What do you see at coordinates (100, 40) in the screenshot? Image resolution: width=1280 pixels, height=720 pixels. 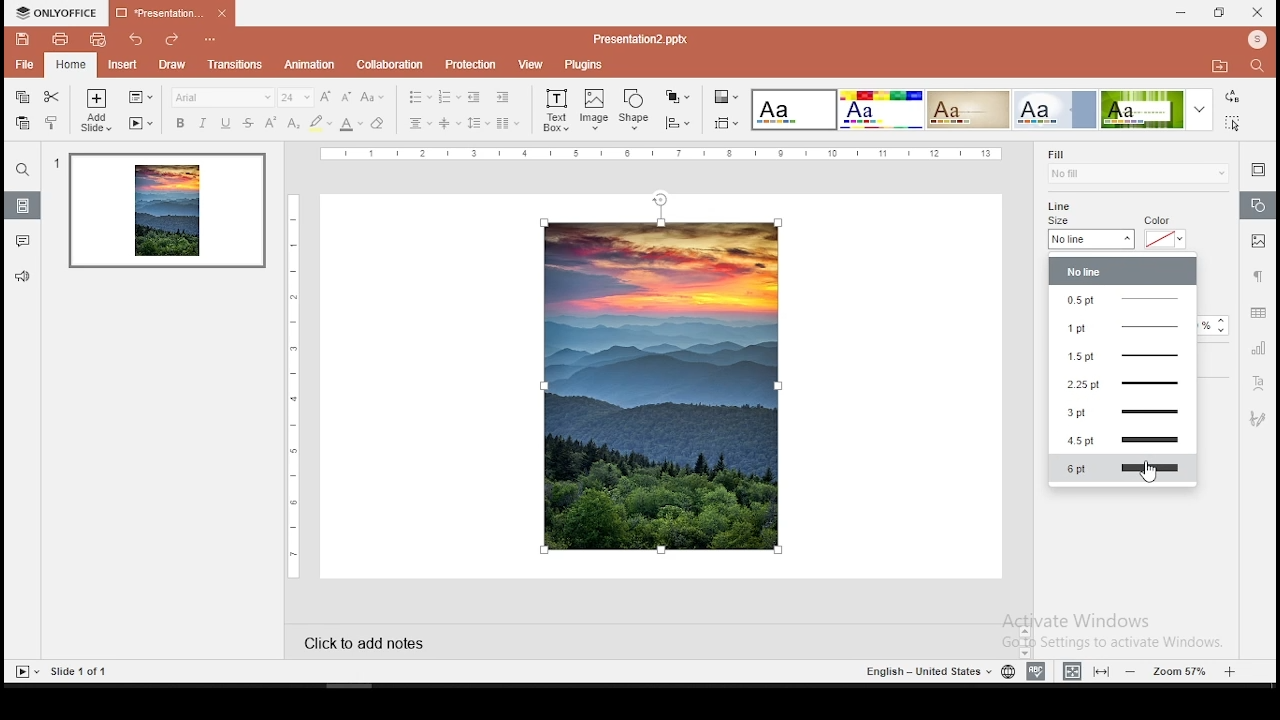 I see `quick print` at bounding box center [100, 40].